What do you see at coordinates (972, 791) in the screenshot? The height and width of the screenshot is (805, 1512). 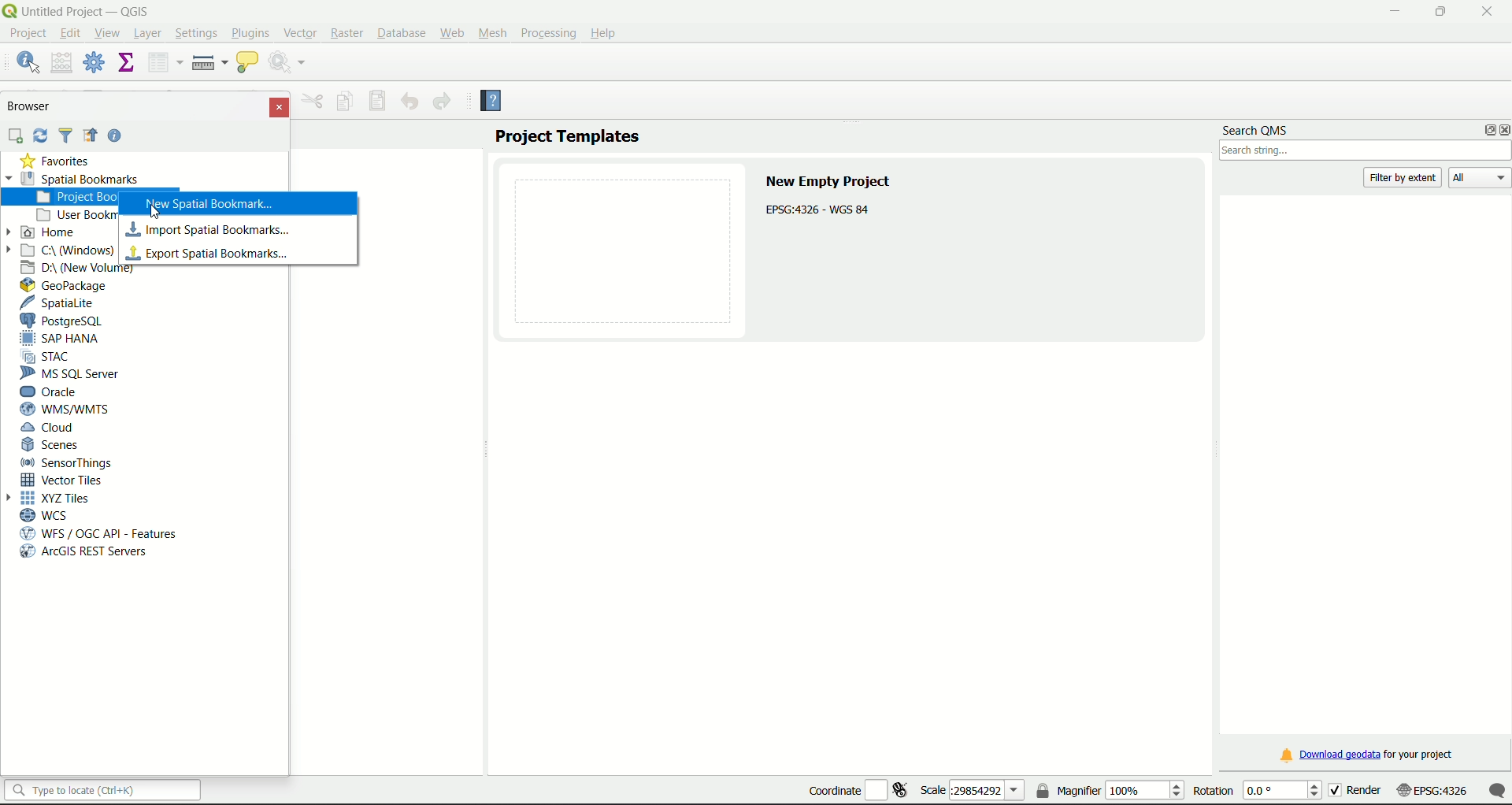 I see `scale` at bounding box center [972, 791].